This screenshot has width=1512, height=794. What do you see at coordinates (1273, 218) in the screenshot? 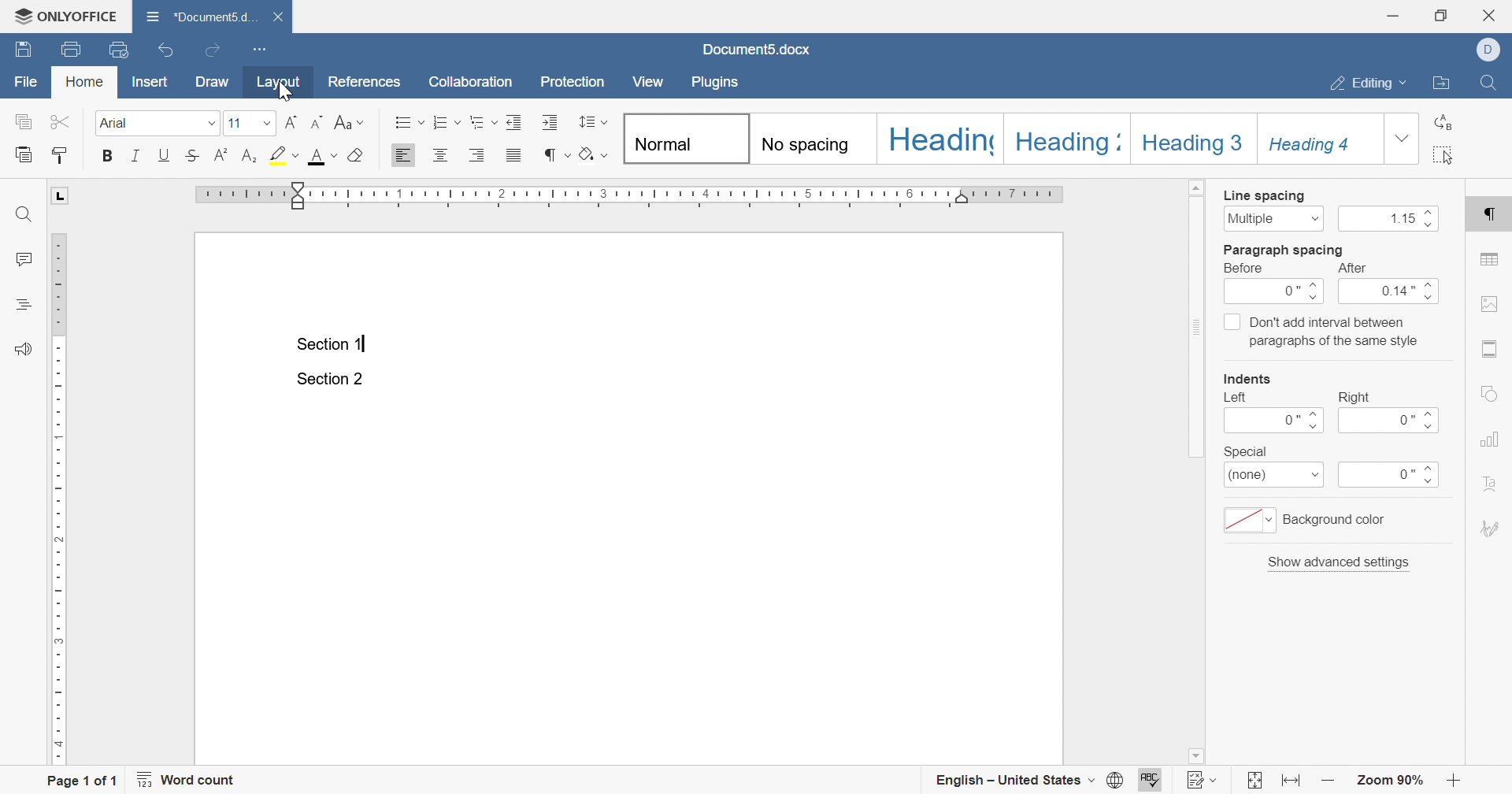
I see `multiple` at bounding box center [1273, 218].